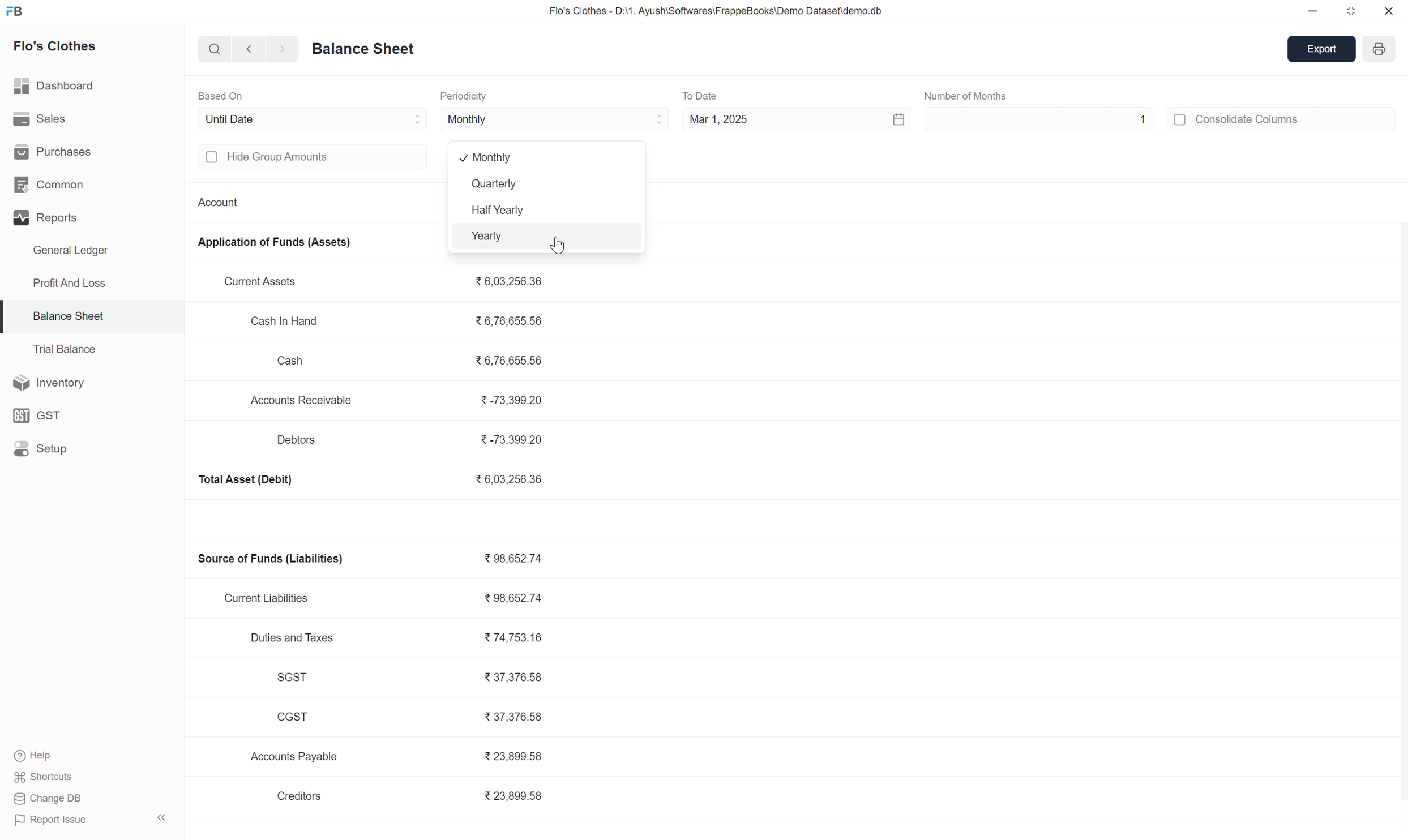 The height and width of the screenshot is (840, 1408). I want to click on Account, so click(220, 204).